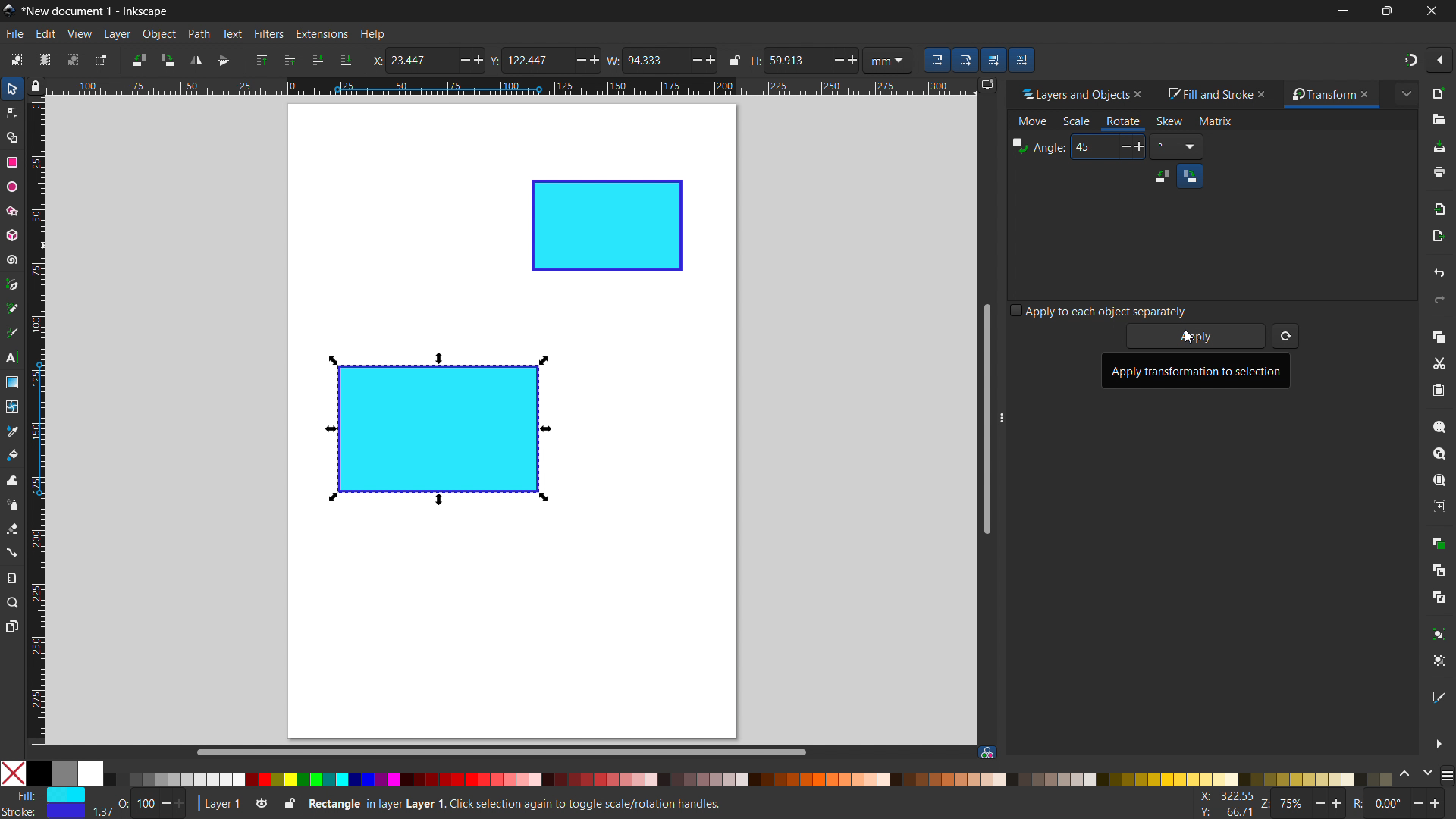 This screenshot has height=819, width=1456. Describe the element at coordinates (1406, 93) in the screenshot. I see `extended menu` at that location.